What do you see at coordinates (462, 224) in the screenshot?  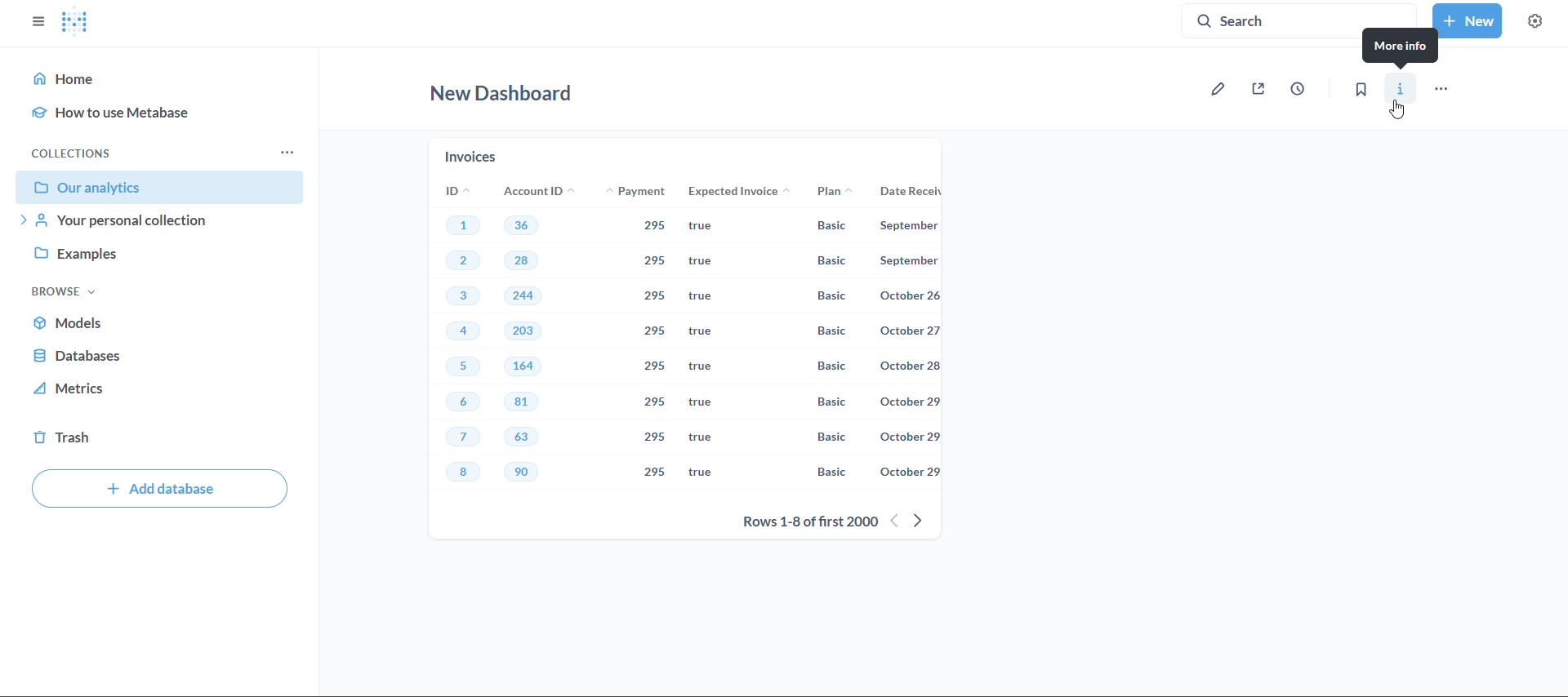 I see `1` at bounding box center [462, 224].